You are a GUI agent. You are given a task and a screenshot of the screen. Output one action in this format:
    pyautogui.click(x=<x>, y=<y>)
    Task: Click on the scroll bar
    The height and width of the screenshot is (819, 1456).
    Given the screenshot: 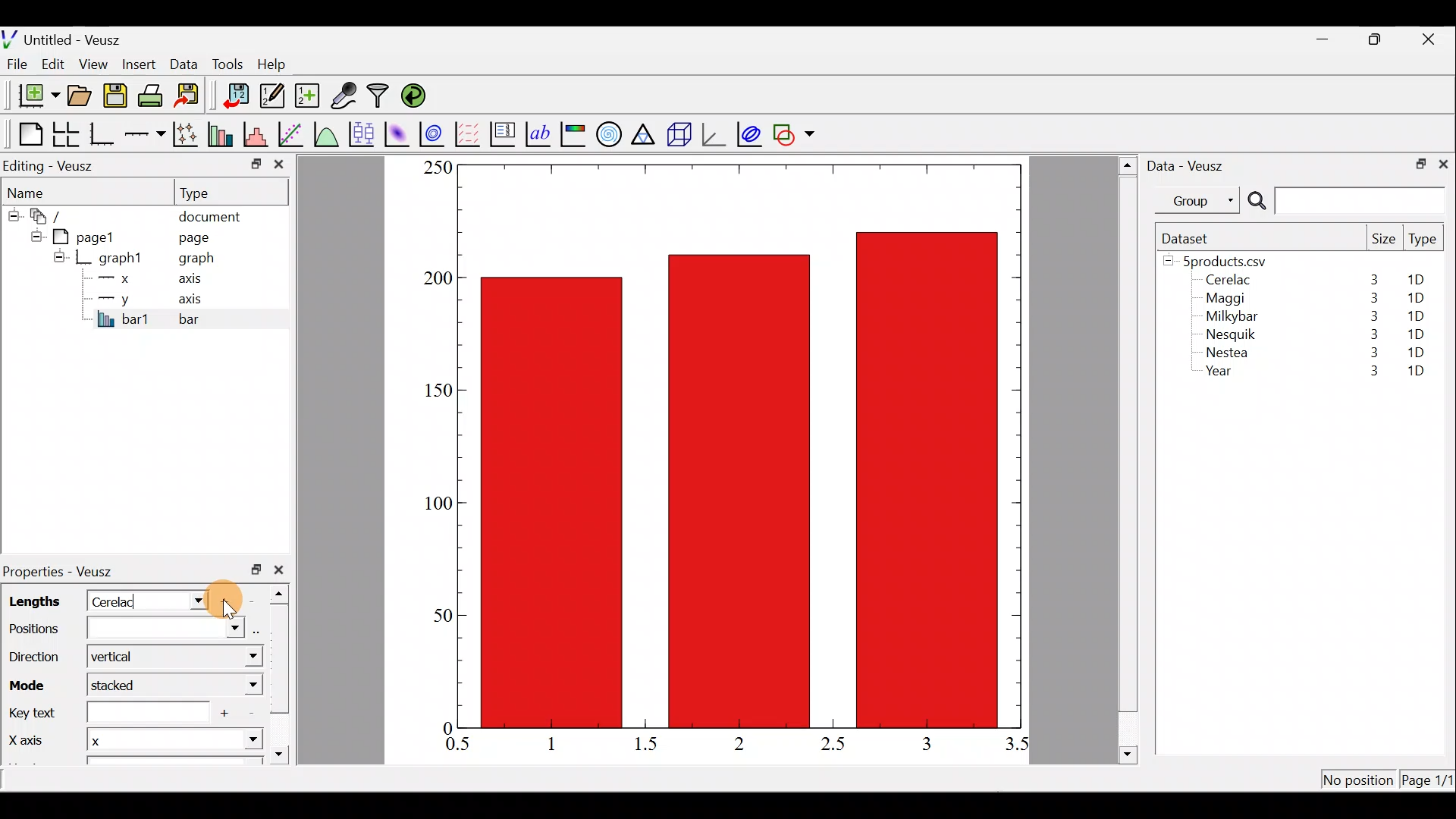 What is the action you would take?
    pyautogui.click(x=1128, y=457)
    